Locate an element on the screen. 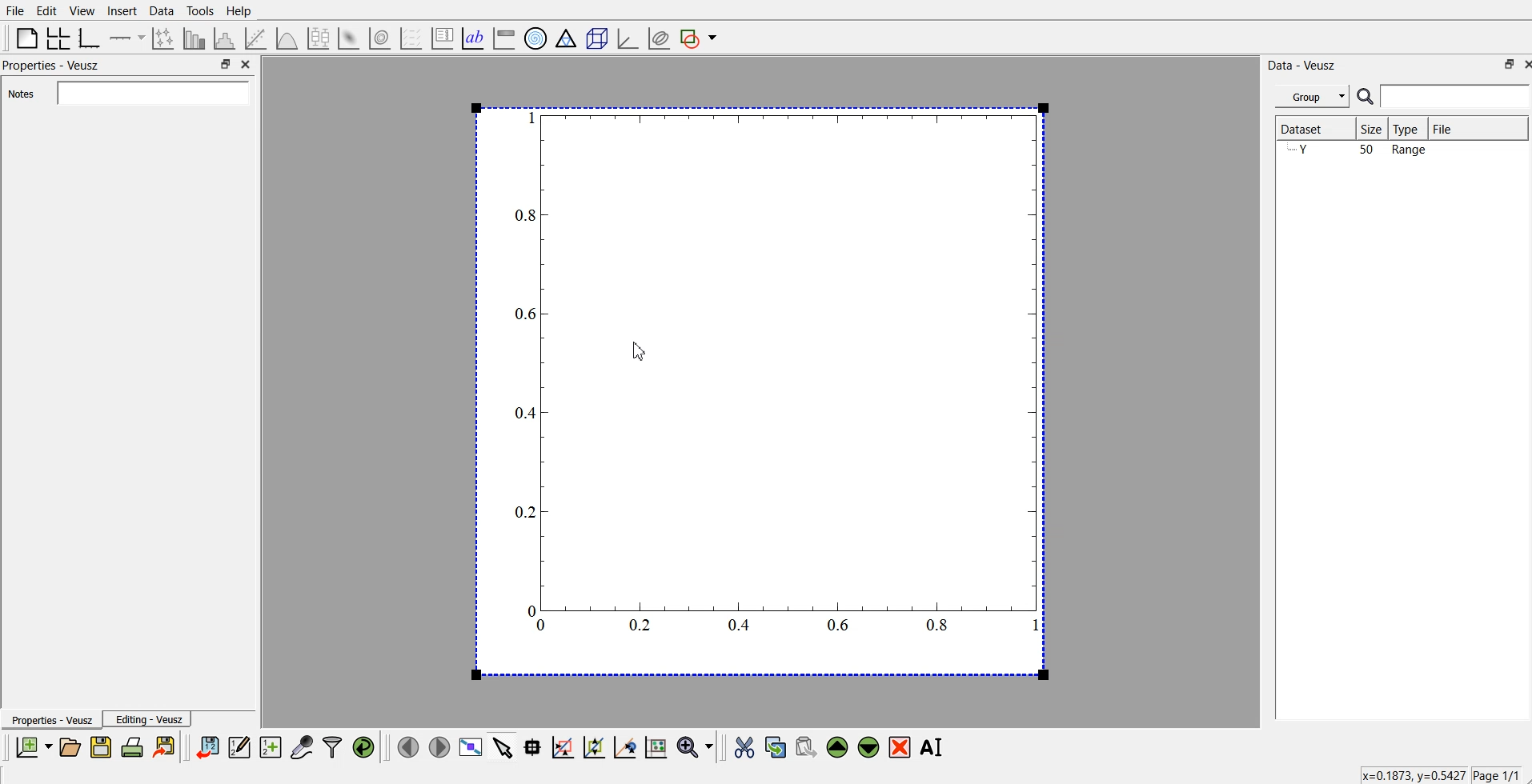 Image resolution: width=1532 pixels, height=784 pixels. import data points is located at coordinates (208, 748).